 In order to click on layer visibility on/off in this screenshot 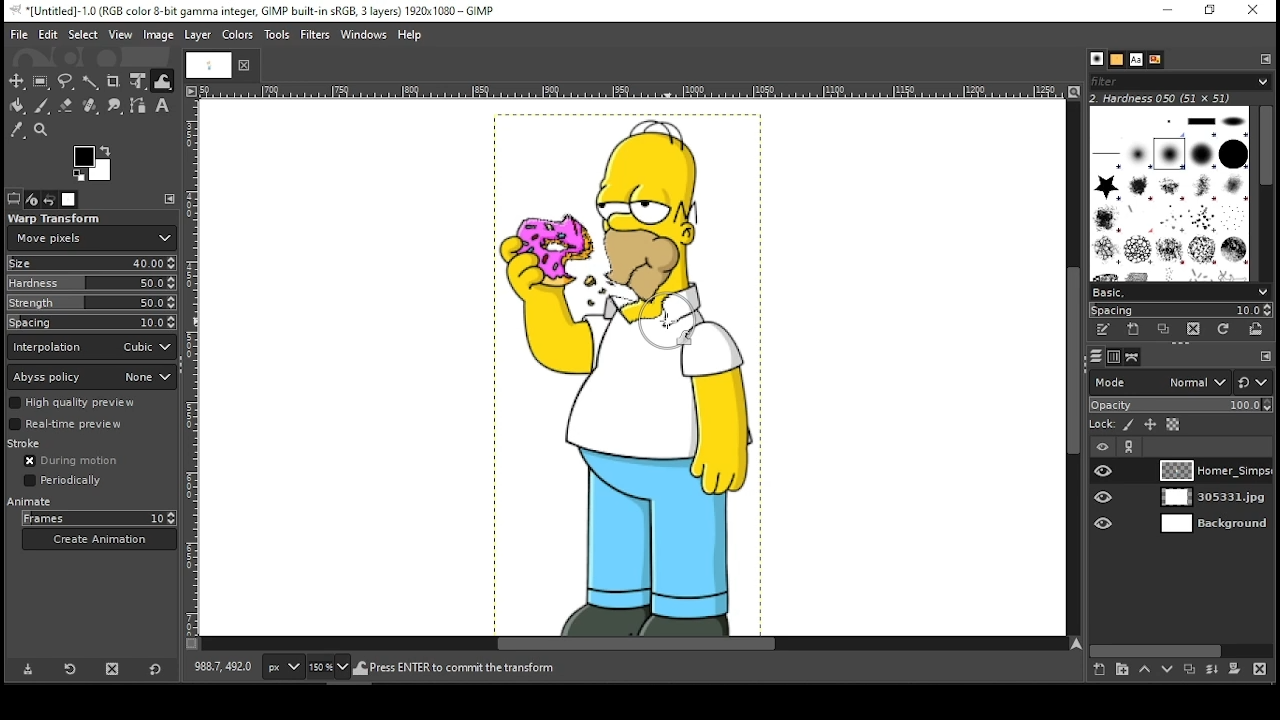, I will do `click(1103, 470)`.